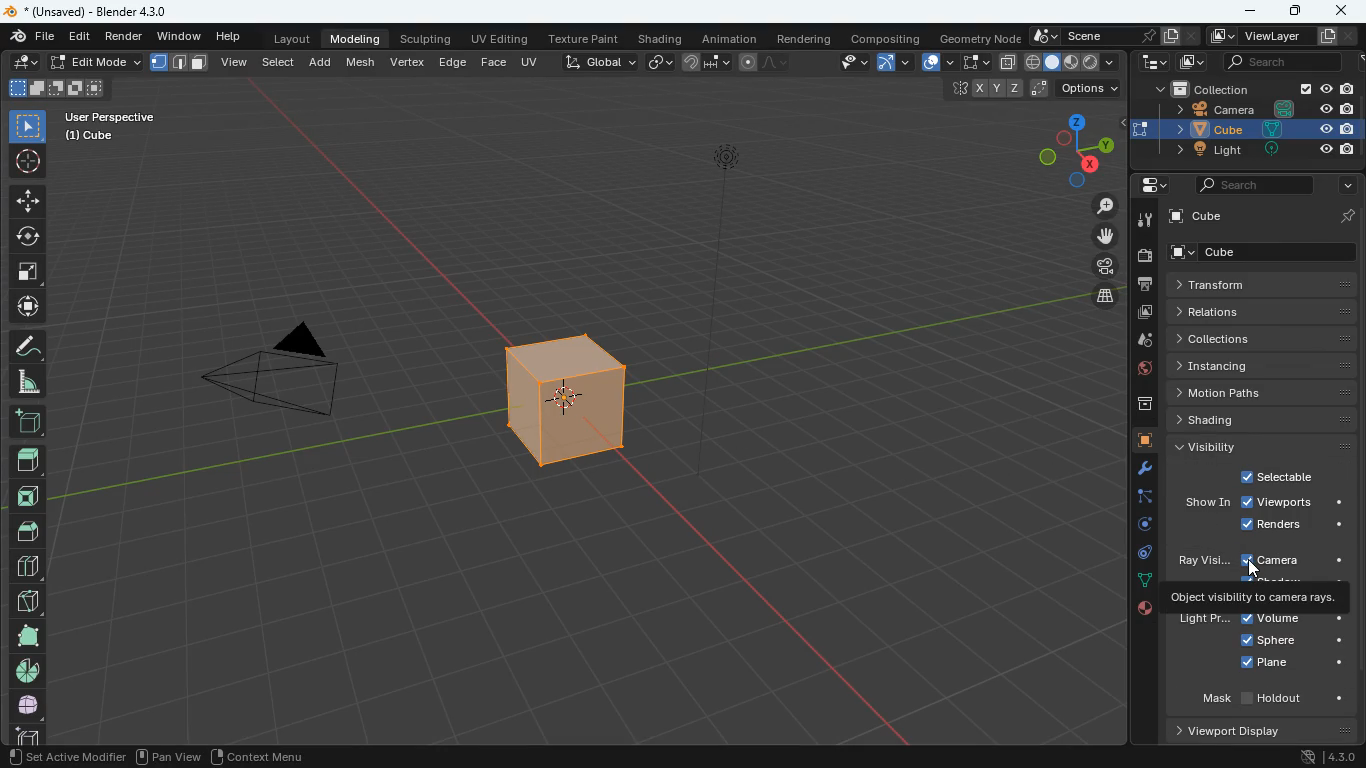  What do you see at coordinates (1340, 10) in the screenshot?
I see `close` at bounding box center [1340, 10].